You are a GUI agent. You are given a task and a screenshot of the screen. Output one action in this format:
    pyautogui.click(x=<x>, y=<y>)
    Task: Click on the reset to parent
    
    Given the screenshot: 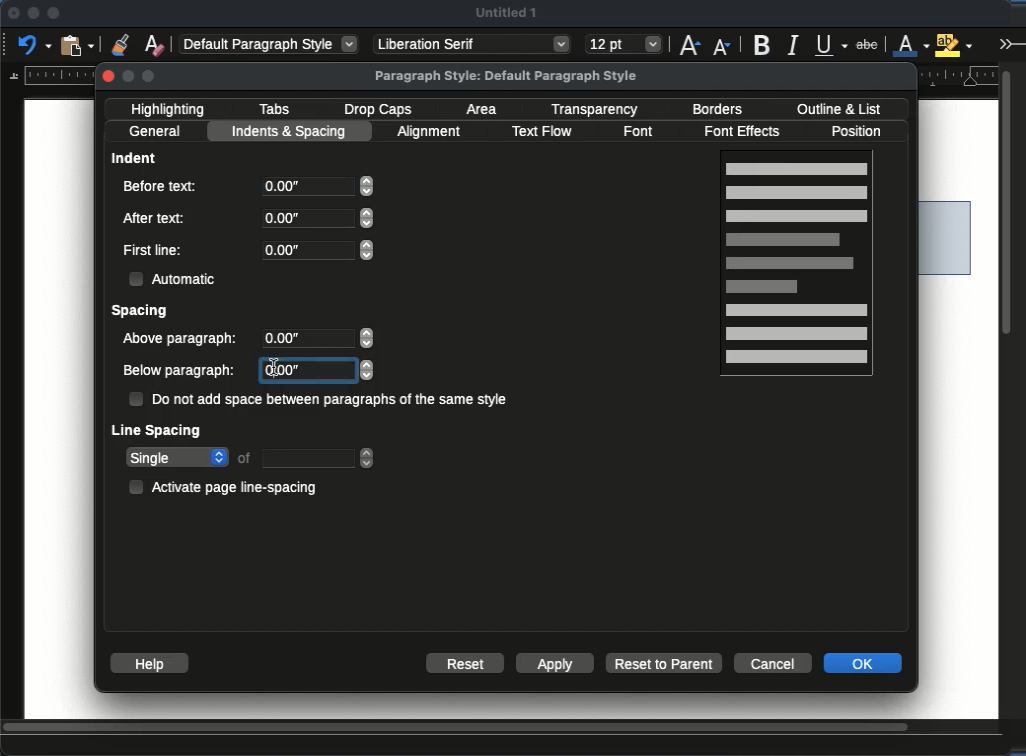 What is the action you would take?
    pyautogui.click(x=665, y=663)
    